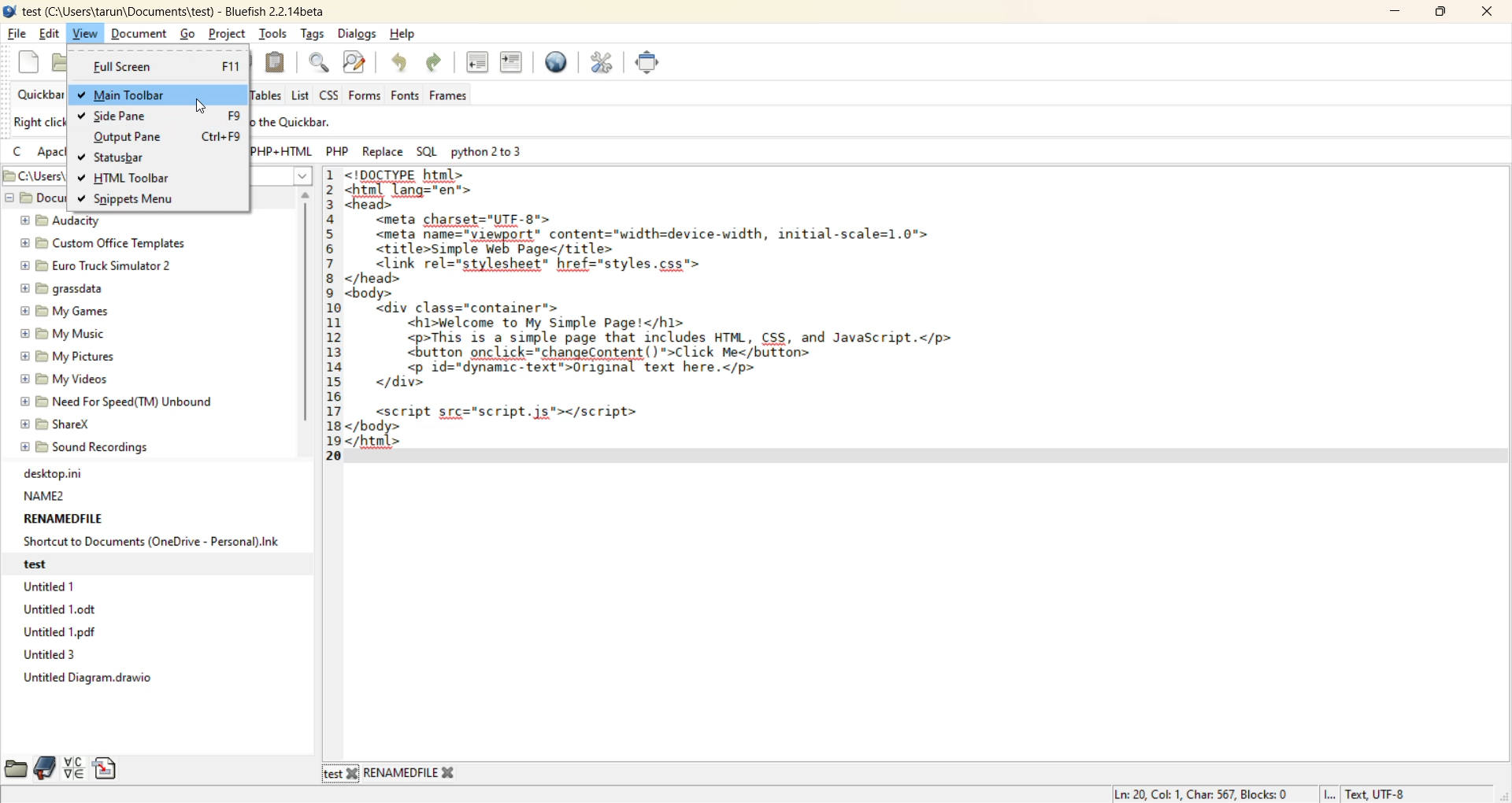 This screenshot has width=1512, height=803. I want to click on # E9 My Games, so click(63, 313).